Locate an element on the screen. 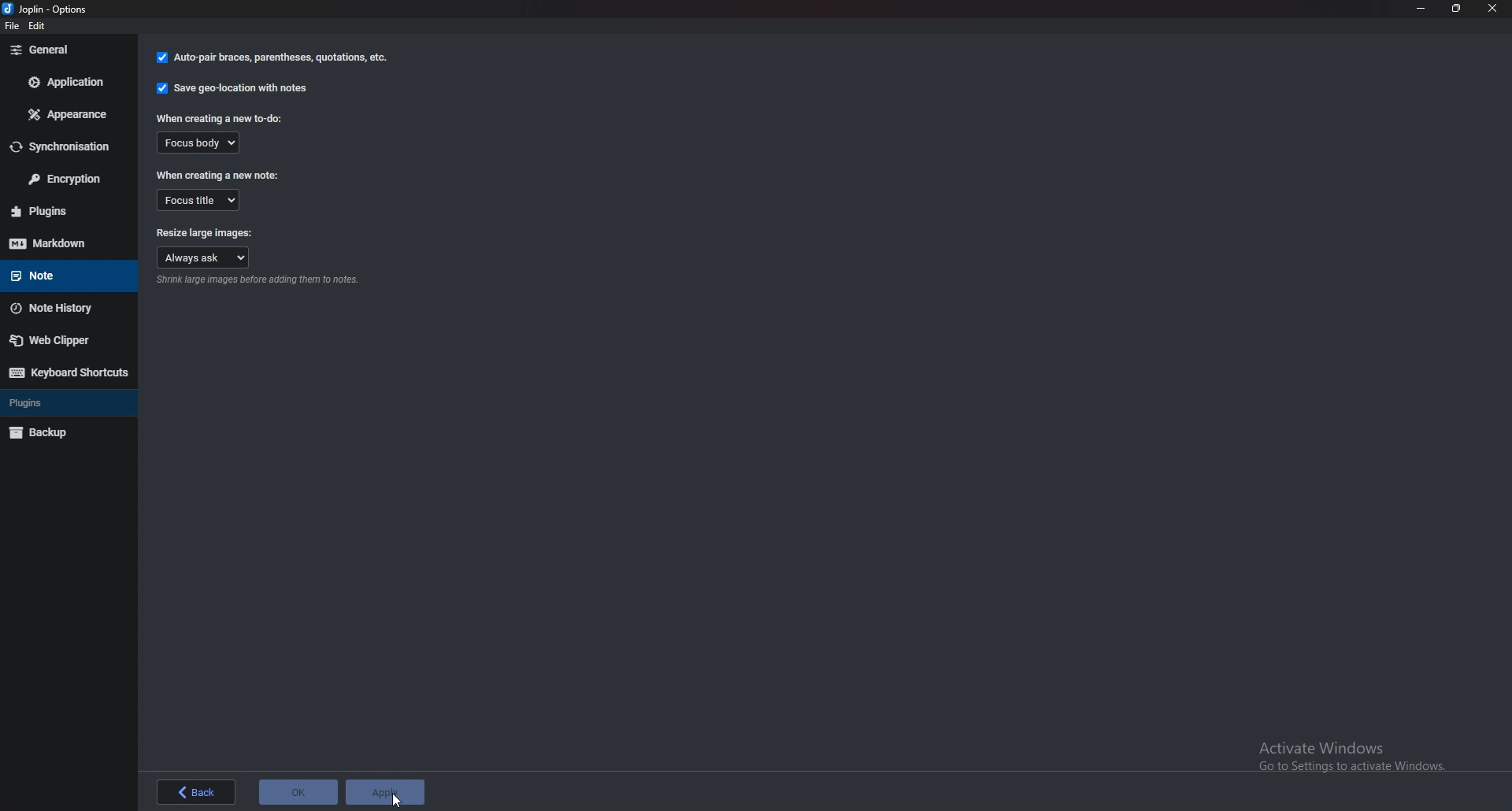 This screenshot has height=811, width=1512. Encryption is located at coordinates (64, 179).